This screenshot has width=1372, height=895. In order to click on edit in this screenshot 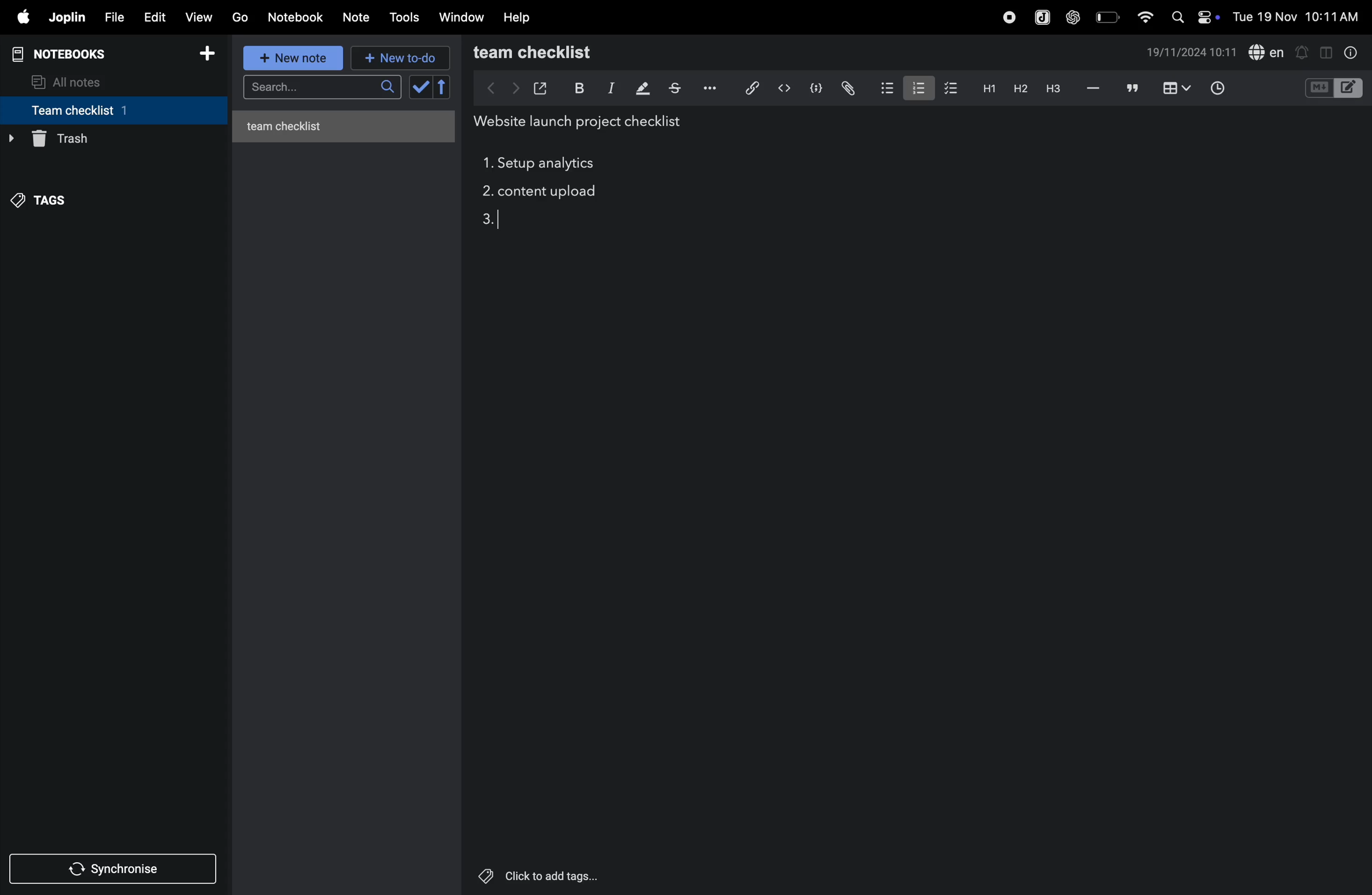, I will do `click(154, 16)`.